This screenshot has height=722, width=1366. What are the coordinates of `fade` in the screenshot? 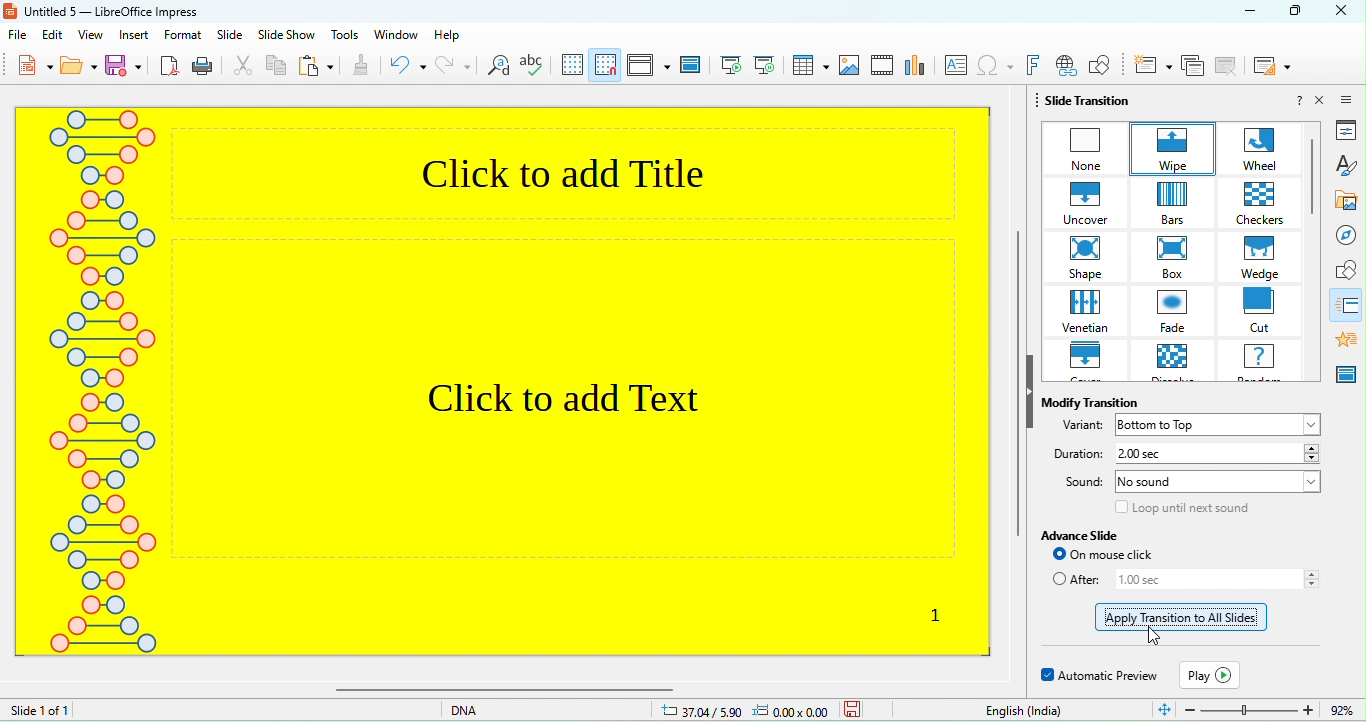 It's located at (1178, 313).